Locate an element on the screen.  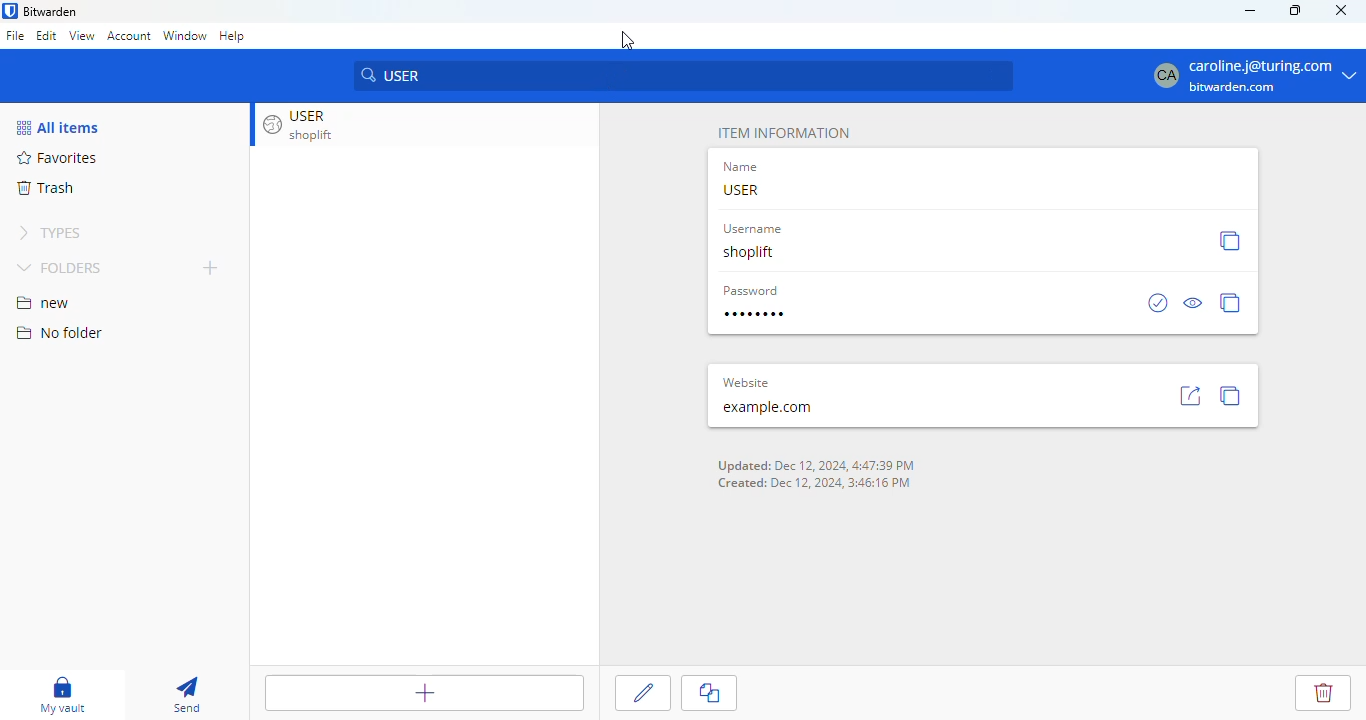
window is located at coordinates (184, 36).